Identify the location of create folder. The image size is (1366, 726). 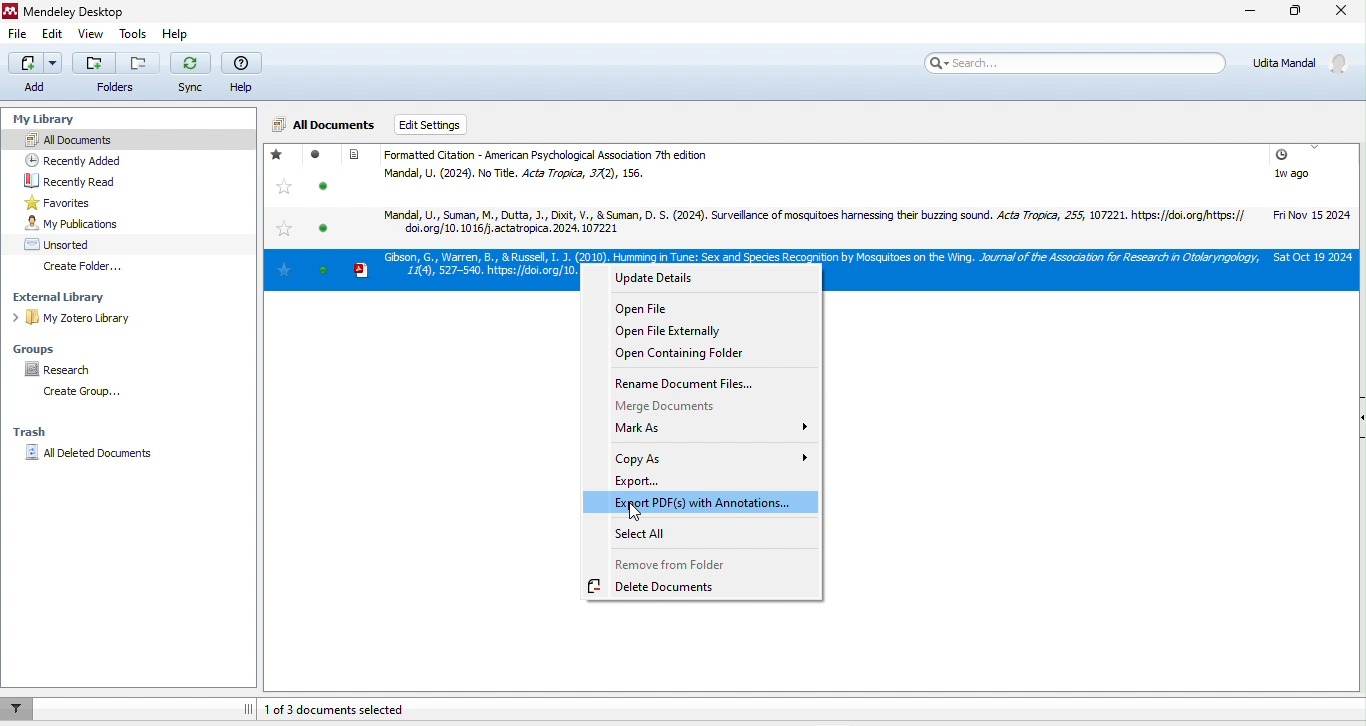
(88, 267).